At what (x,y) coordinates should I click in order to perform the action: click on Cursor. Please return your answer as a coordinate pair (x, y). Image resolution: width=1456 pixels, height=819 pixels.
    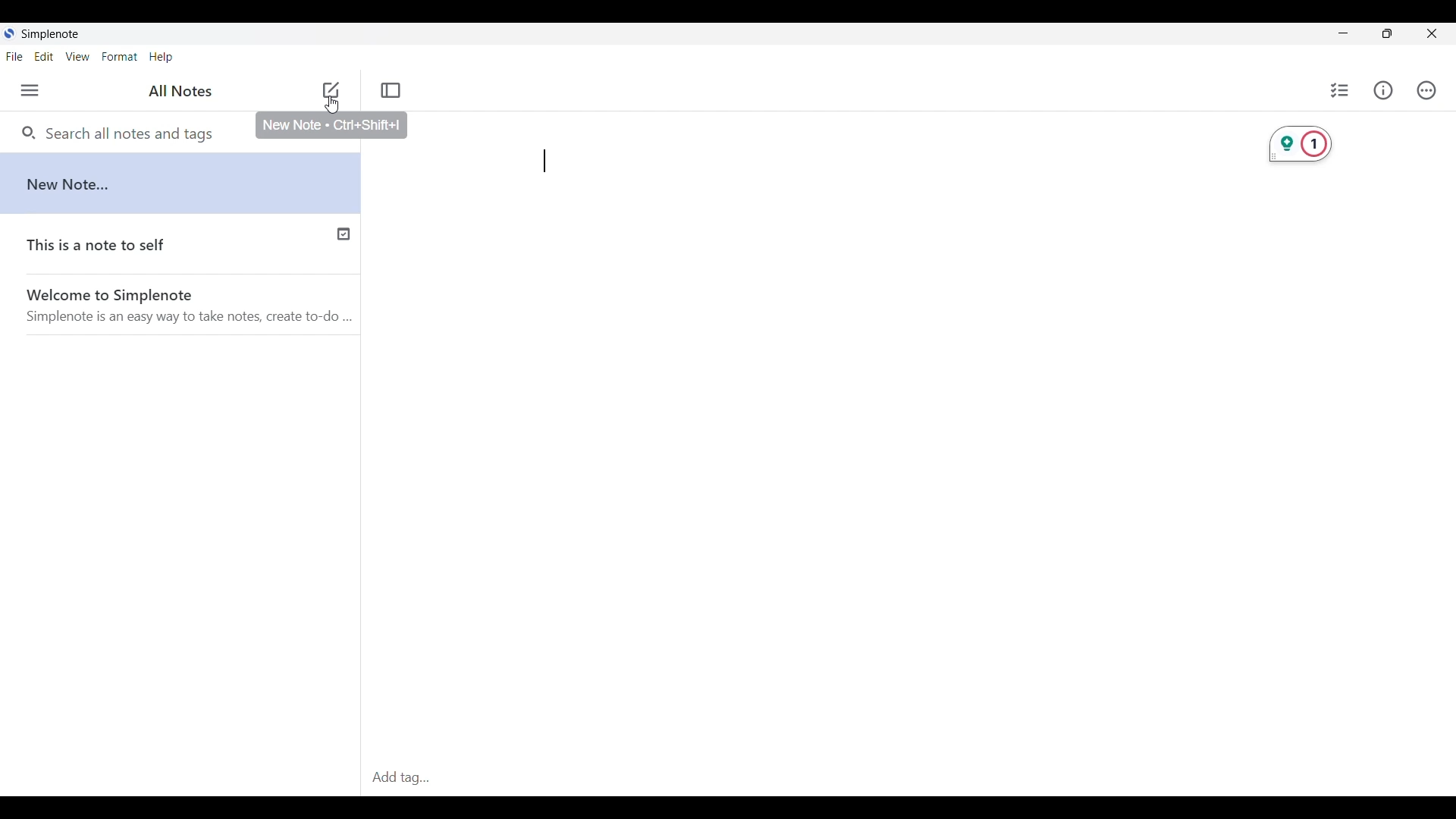
    Looking at the image, I should click on (332, 107).